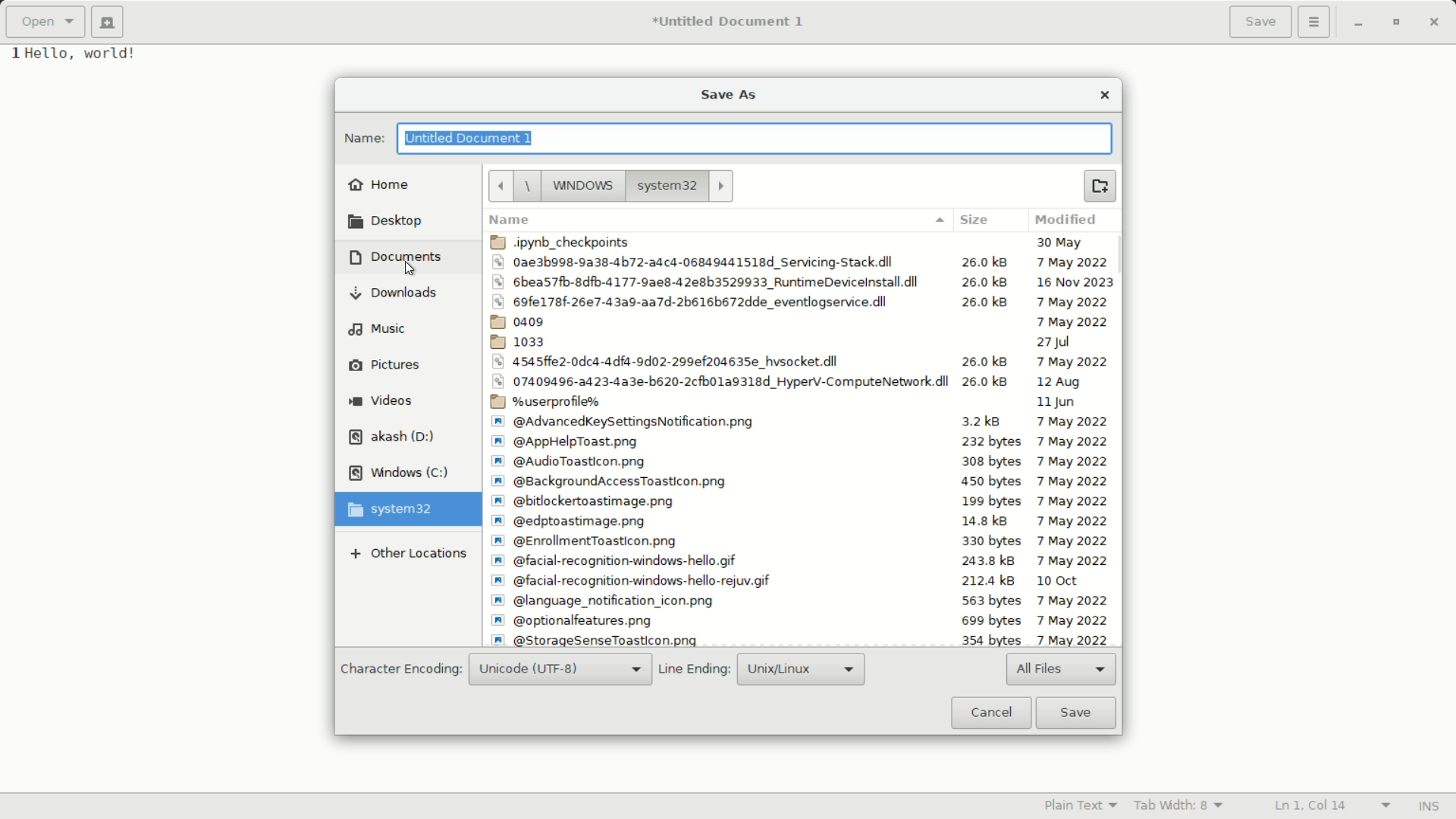 The width and height of the screenshot is (1456, 819). I want to click on Folder, so click(802, 342).